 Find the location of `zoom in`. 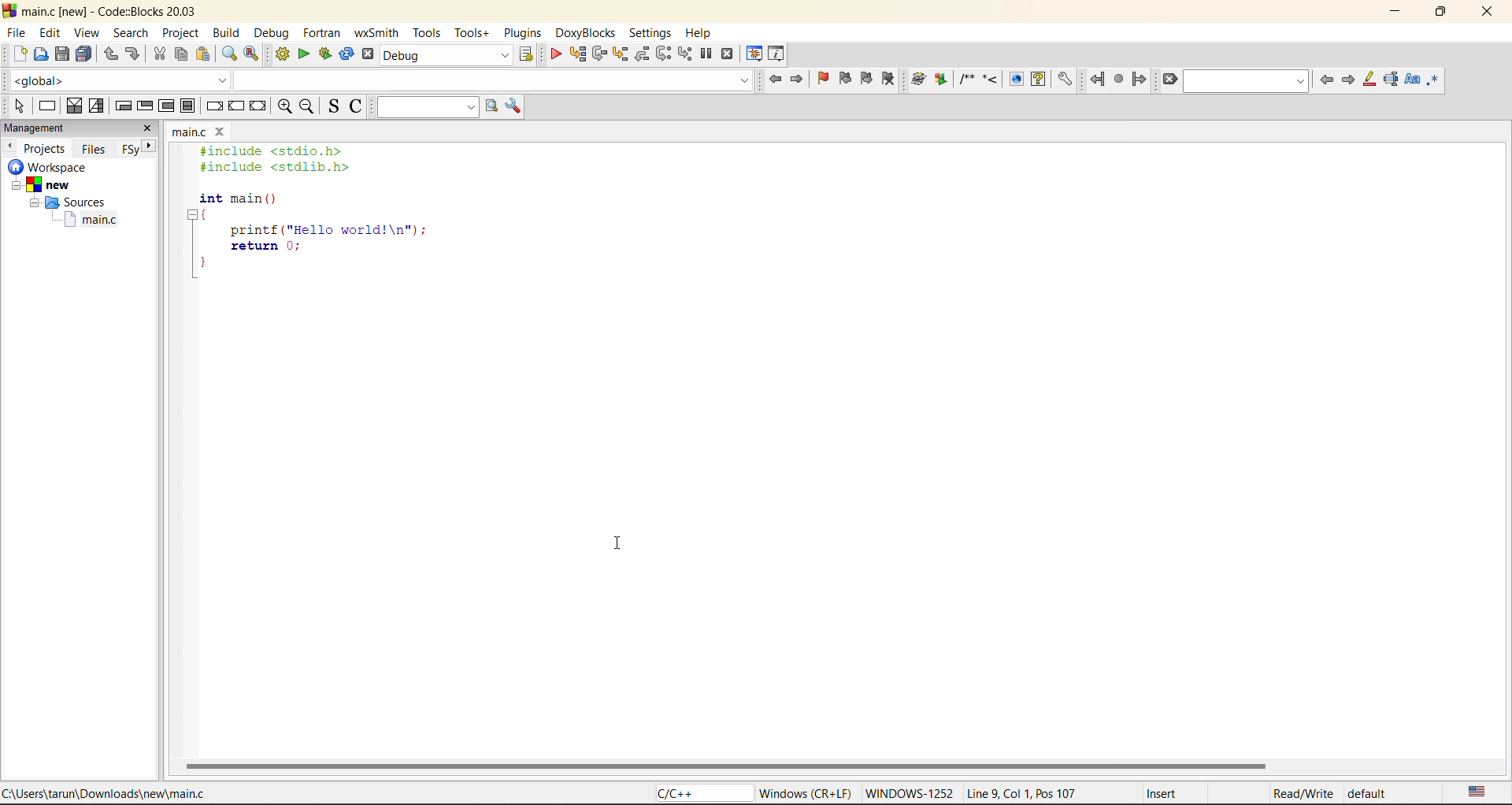

zoom in is located at coordinates (283, 109).